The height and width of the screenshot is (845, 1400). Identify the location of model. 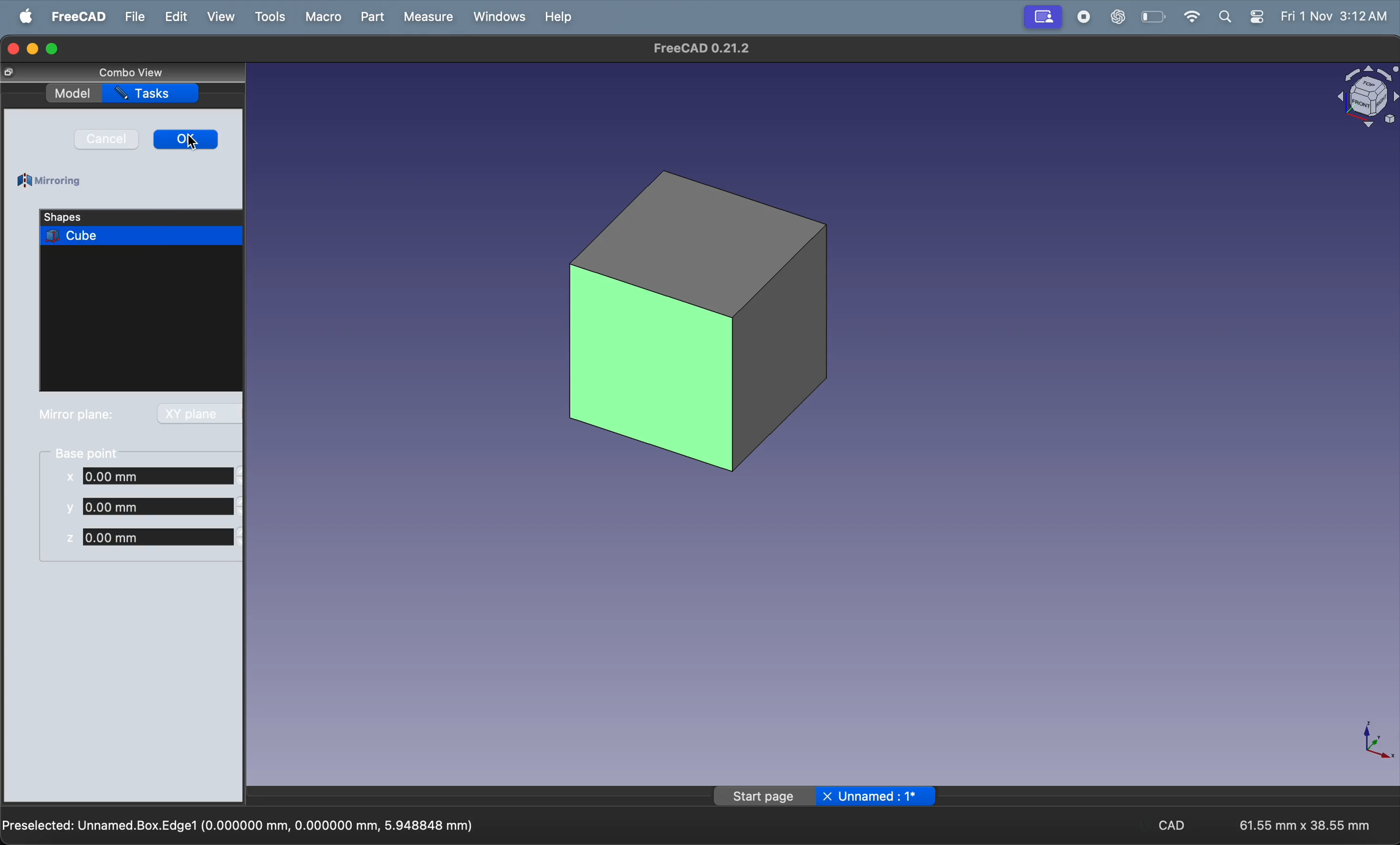
(72, 94).